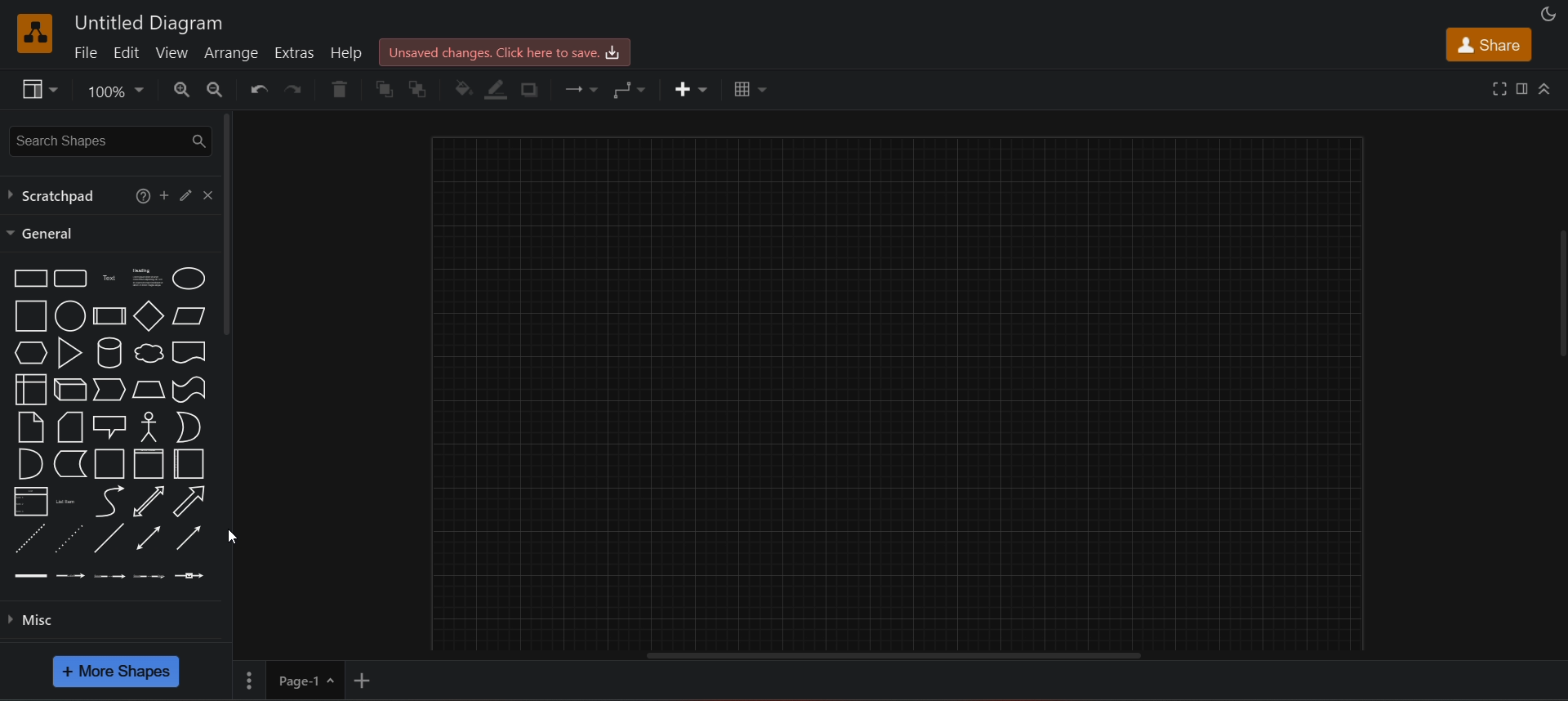 This screenshot has width=1568, height=701. What do you see at coordinates (296, 89) in the screenshot?
I see `redo` at bounding box center [296, 89].